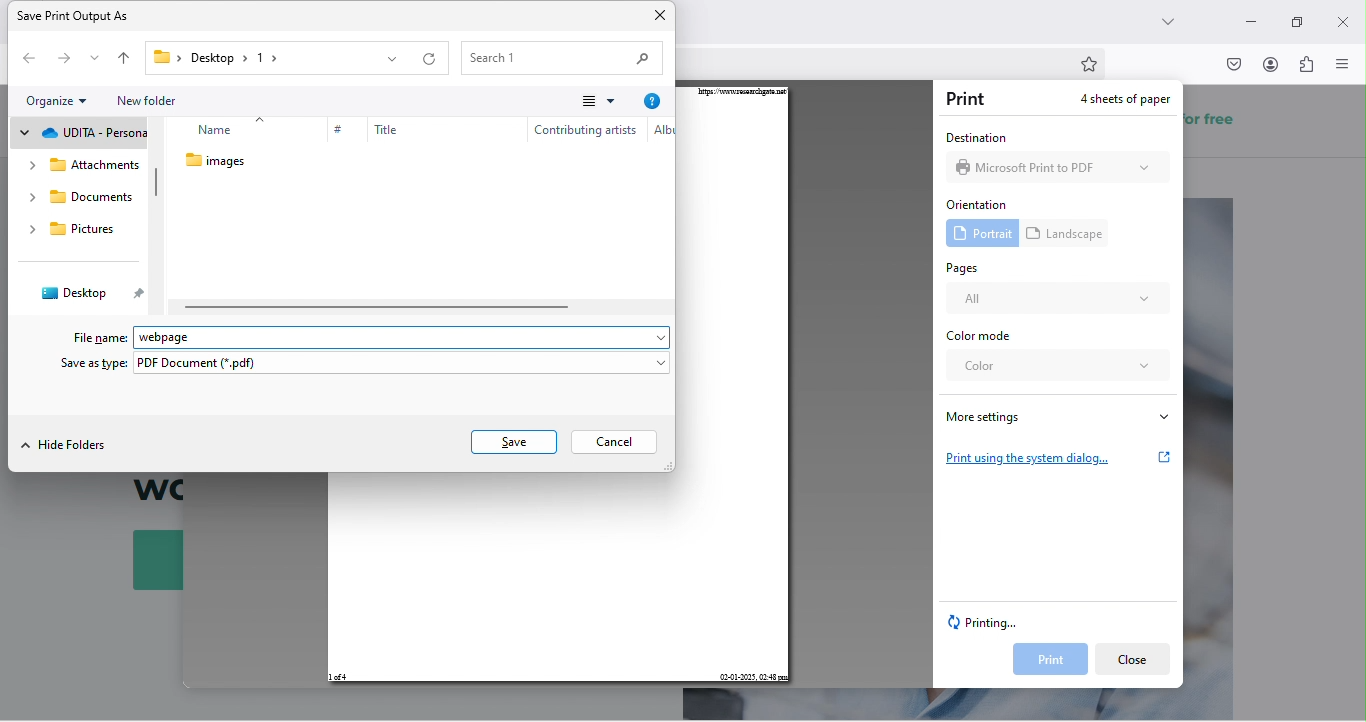 The width and height of the screenshot is (1366, 722). I want to click on documents, so click(82, 234).